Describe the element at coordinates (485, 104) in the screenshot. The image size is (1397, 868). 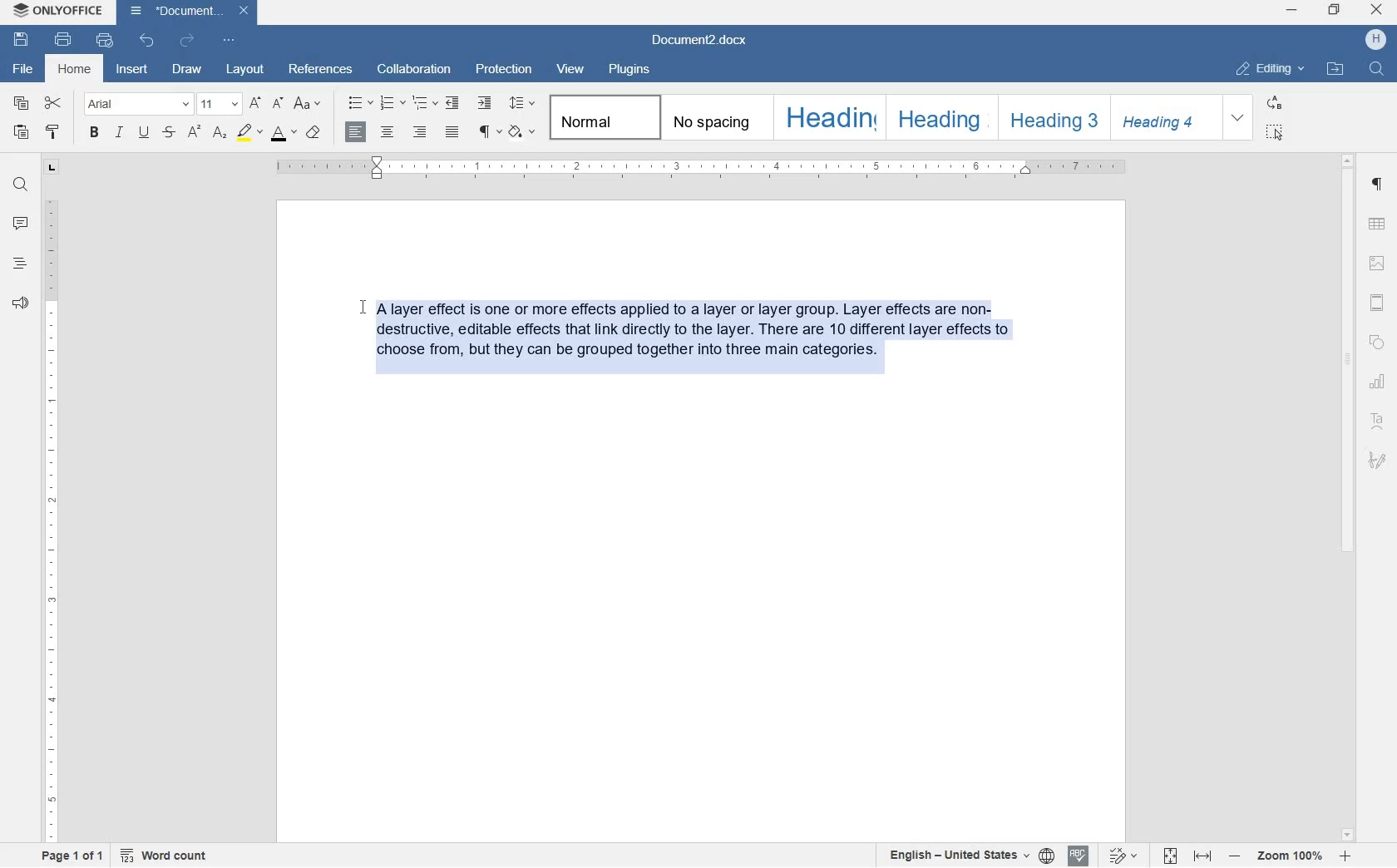
I see `increase indent` at that location.